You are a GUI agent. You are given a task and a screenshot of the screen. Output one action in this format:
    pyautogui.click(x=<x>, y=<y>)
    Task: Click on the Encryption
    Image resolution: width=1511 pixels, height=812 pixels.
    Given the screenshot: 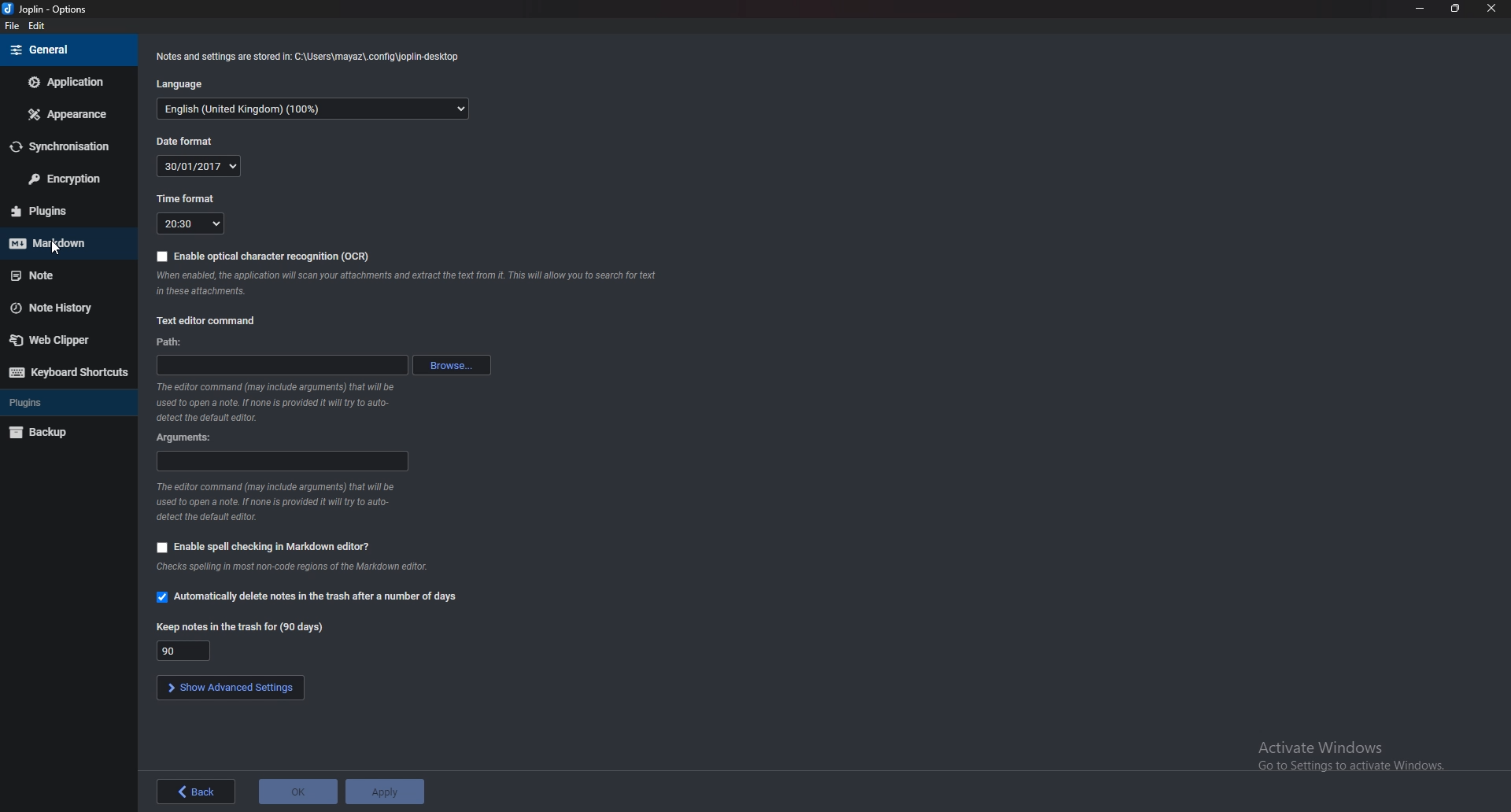 What is the action you would take?
    pyautogui.click(x=65, y=179)
    